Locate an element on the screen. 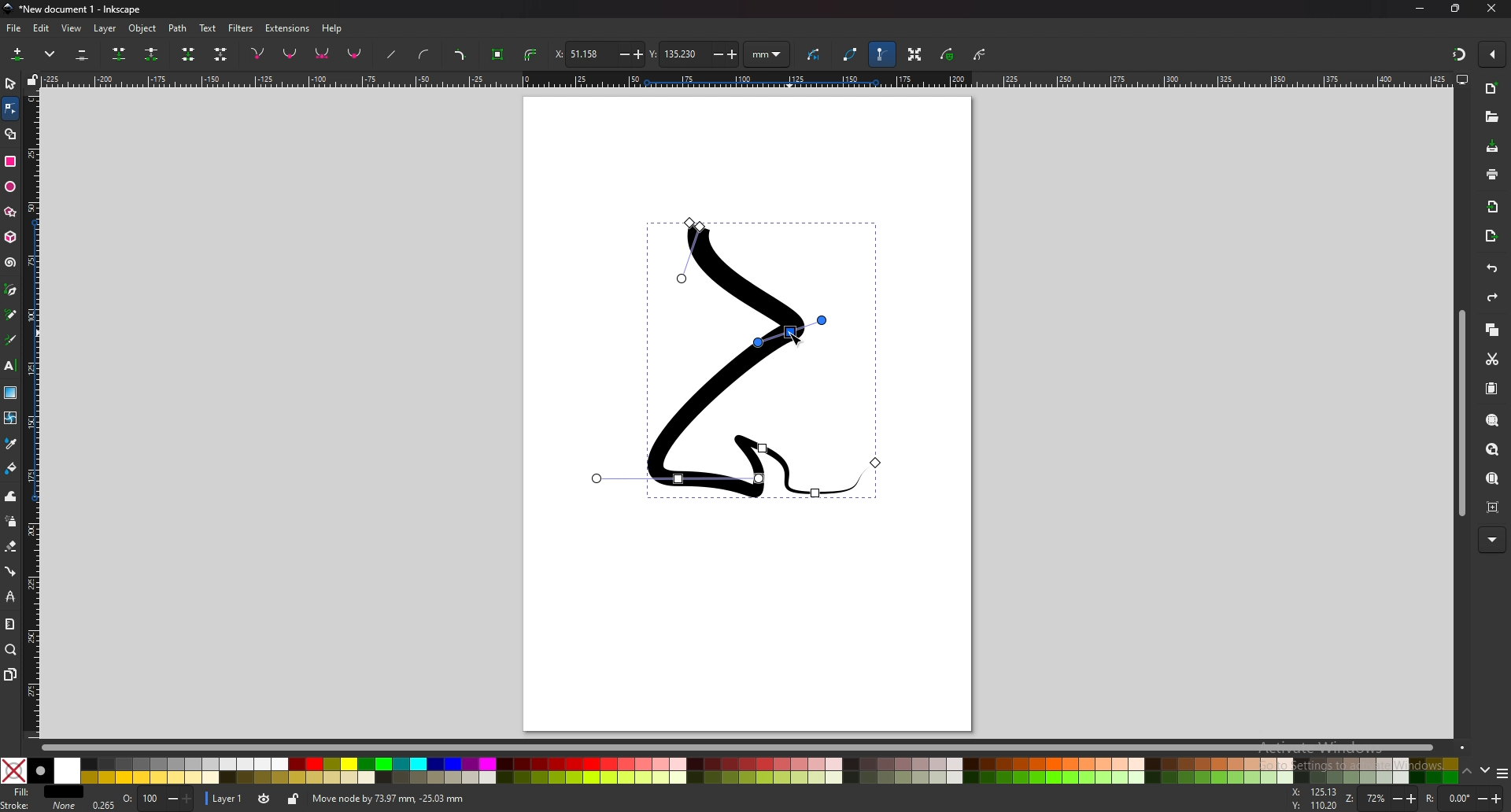  symmetric is located at coordinates (323, 54).